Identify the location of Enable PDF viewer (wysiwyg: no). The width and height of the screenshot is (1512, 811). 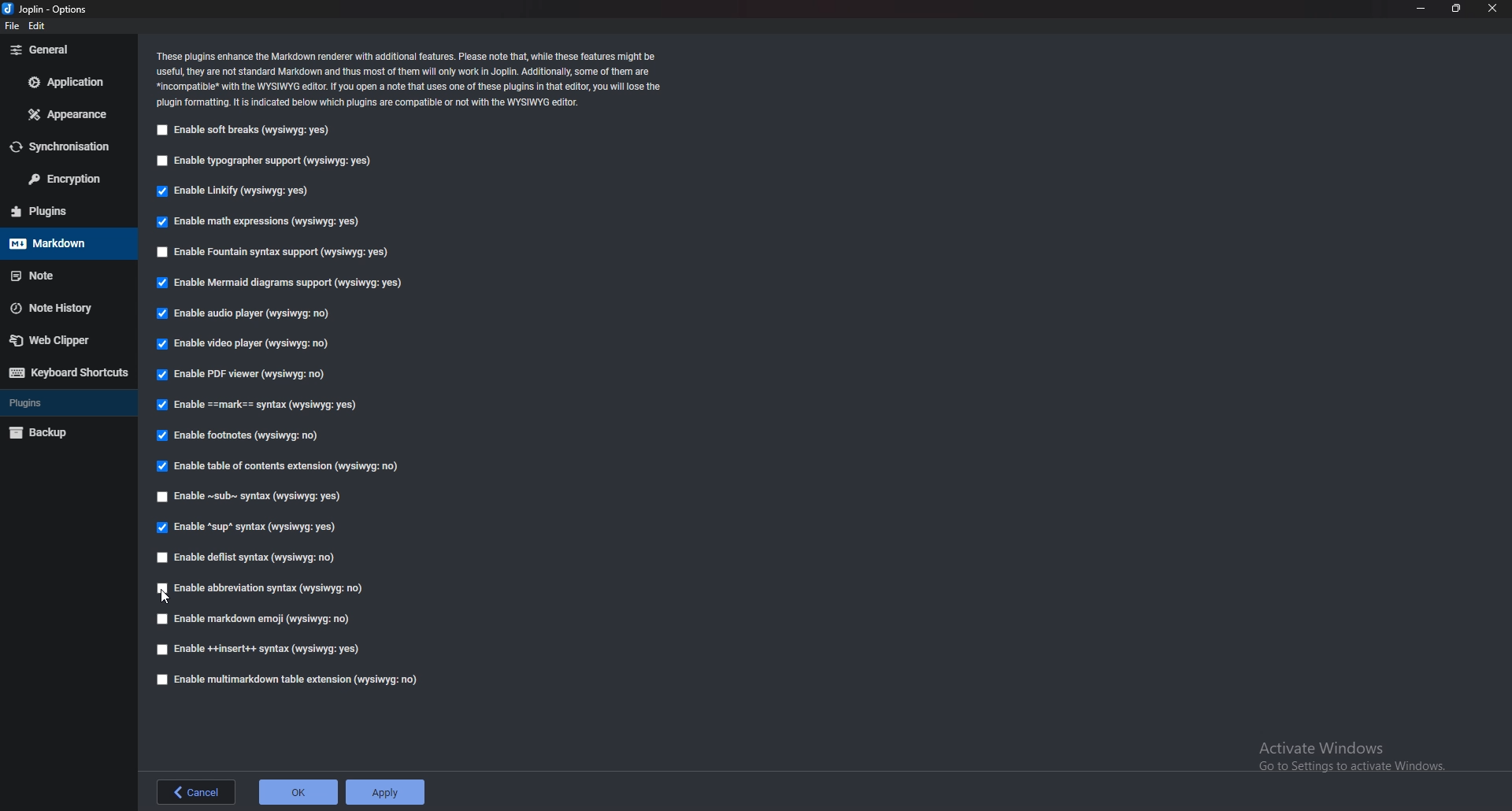
(250, 372).